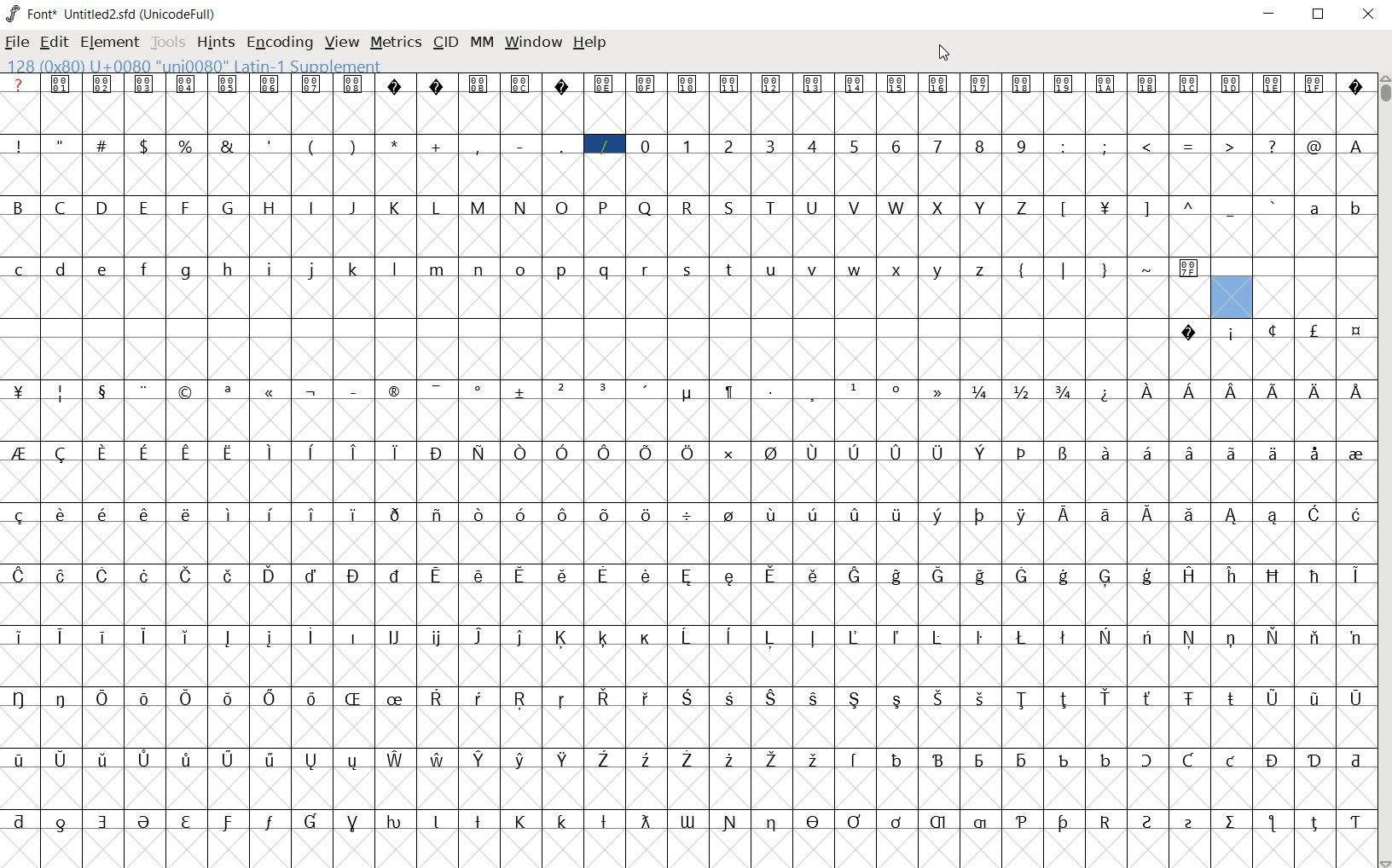 The height and width of the screenshot is (868, 1392). I want to click on glyph, so click(937, 391).